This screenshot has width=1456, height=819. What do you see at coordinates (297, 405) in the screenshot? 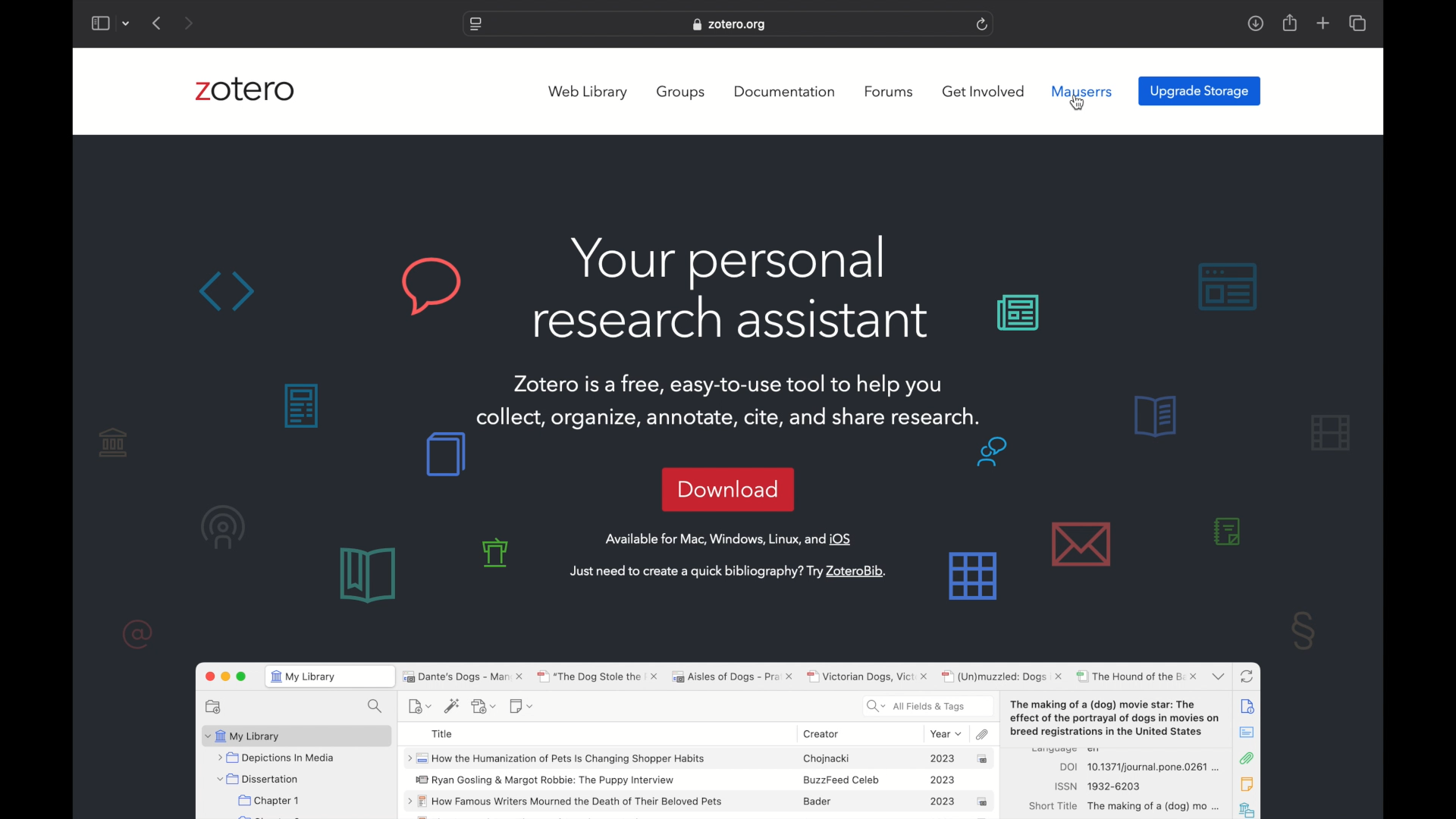
I see `backgorund graphics` at bounding box center [297, 405].